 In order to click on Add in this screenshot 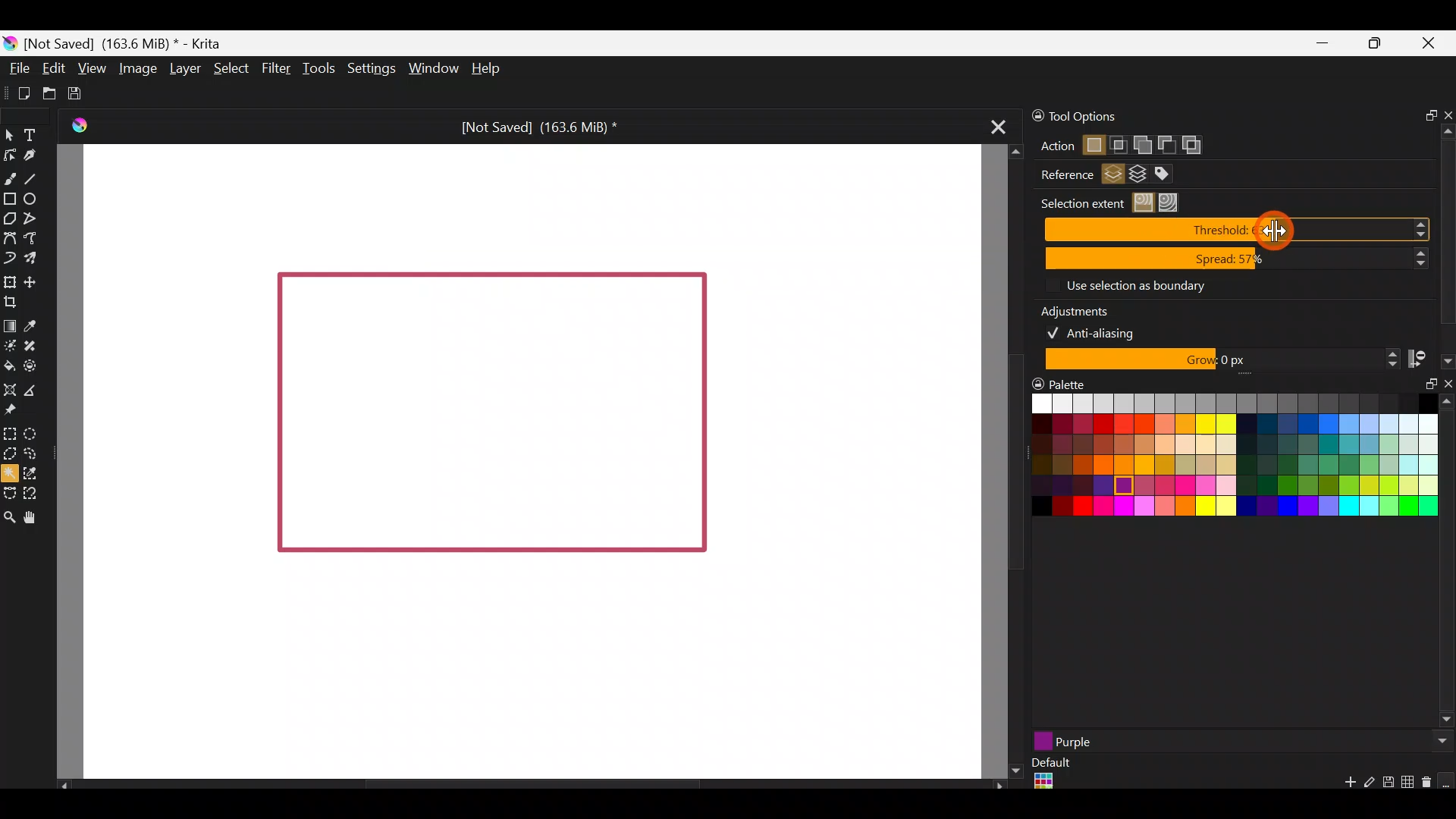, I will do `click(1141, 142)`.